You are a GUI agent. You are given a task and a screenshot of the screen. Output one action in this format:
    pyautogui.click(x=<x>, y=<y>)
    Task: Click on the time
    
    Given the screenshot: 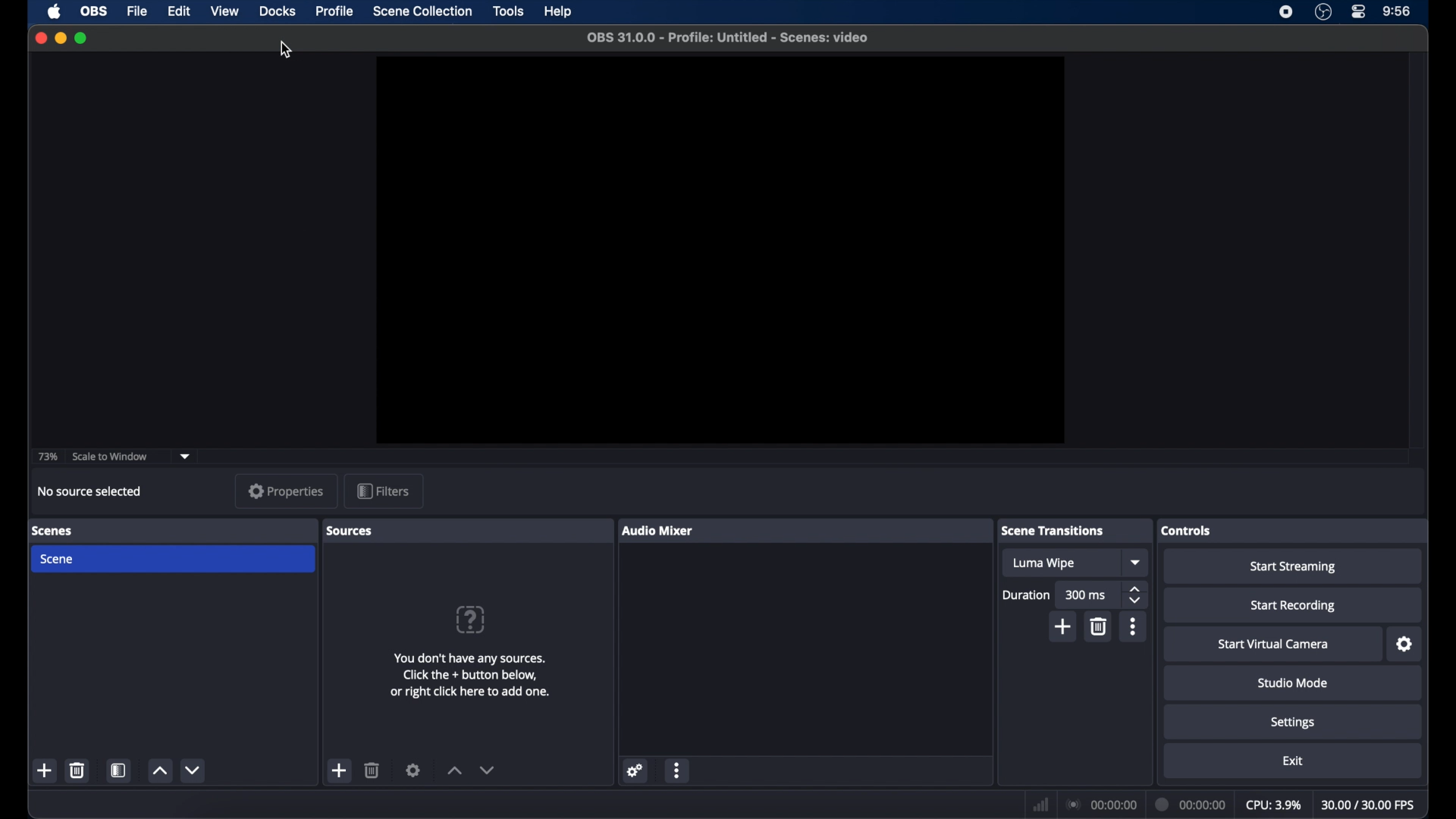 What is the action you would take?
    pyautogui.click(x=1397, y=11)
    